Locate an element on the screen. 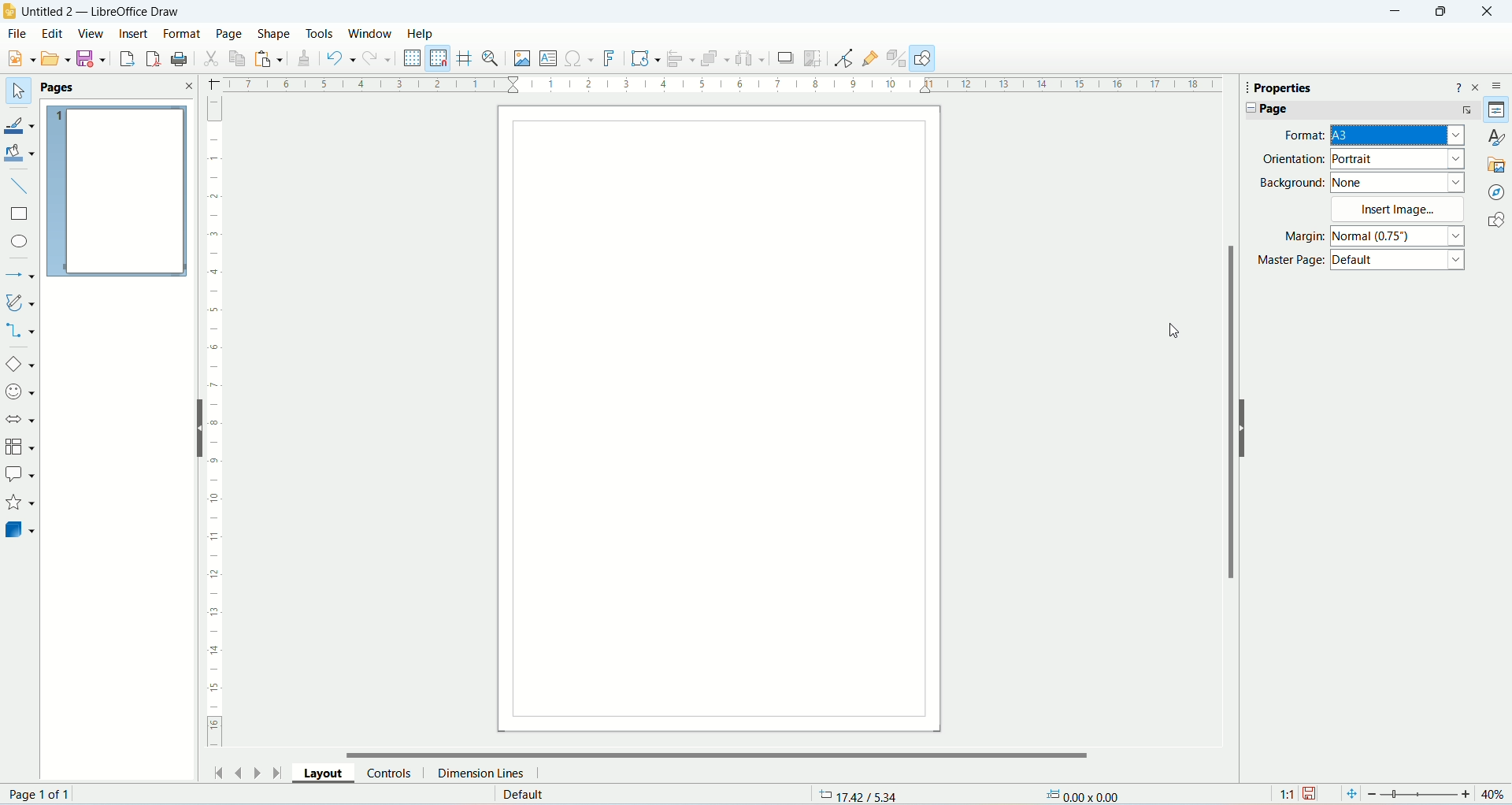 This screenshot has height=805, width=1512. gluepoint function is located at coordinates (872, 57).